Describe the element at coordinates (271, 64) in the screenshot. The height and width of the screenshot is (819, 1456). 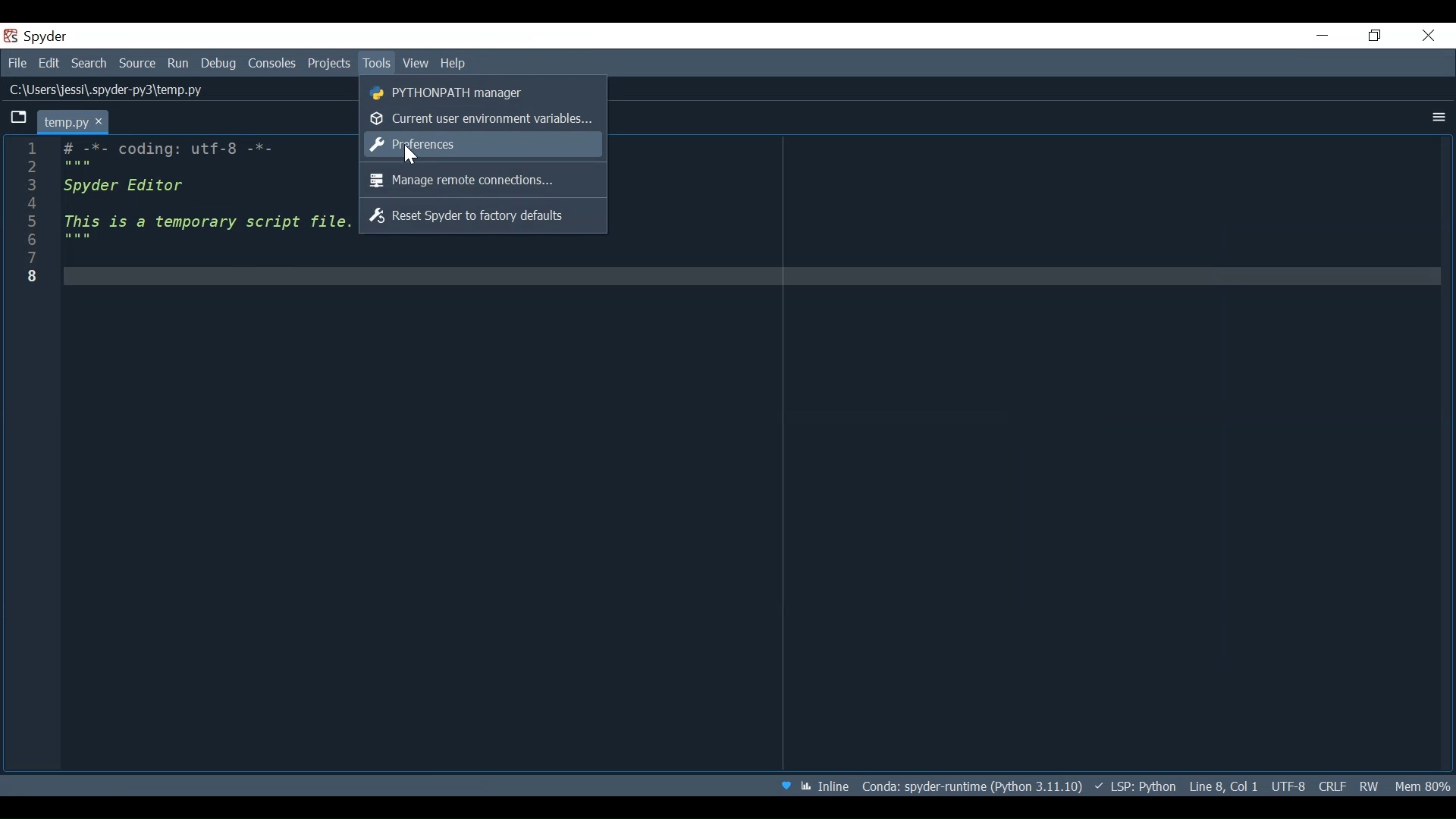
I see `Consoles` at that location.